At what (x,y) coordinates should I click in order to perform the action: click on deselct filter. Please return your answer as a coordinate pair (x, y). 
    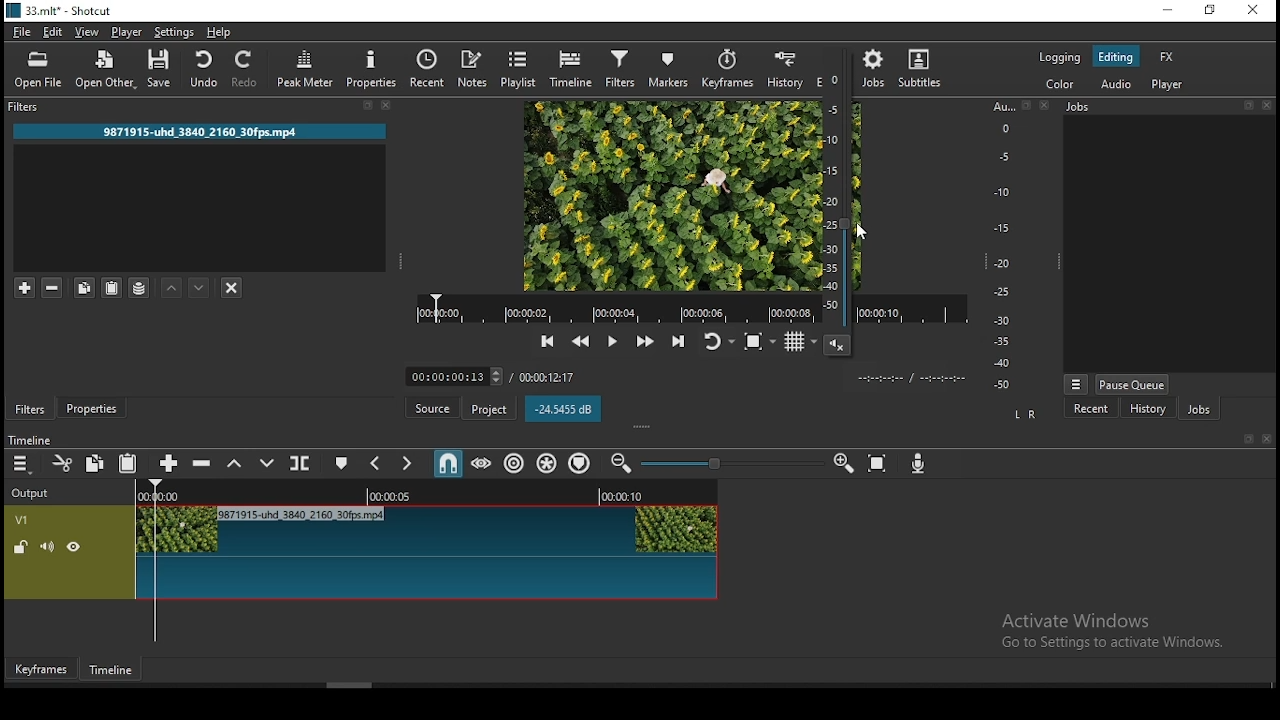
    Looking at the image, I should click on (231, 289).